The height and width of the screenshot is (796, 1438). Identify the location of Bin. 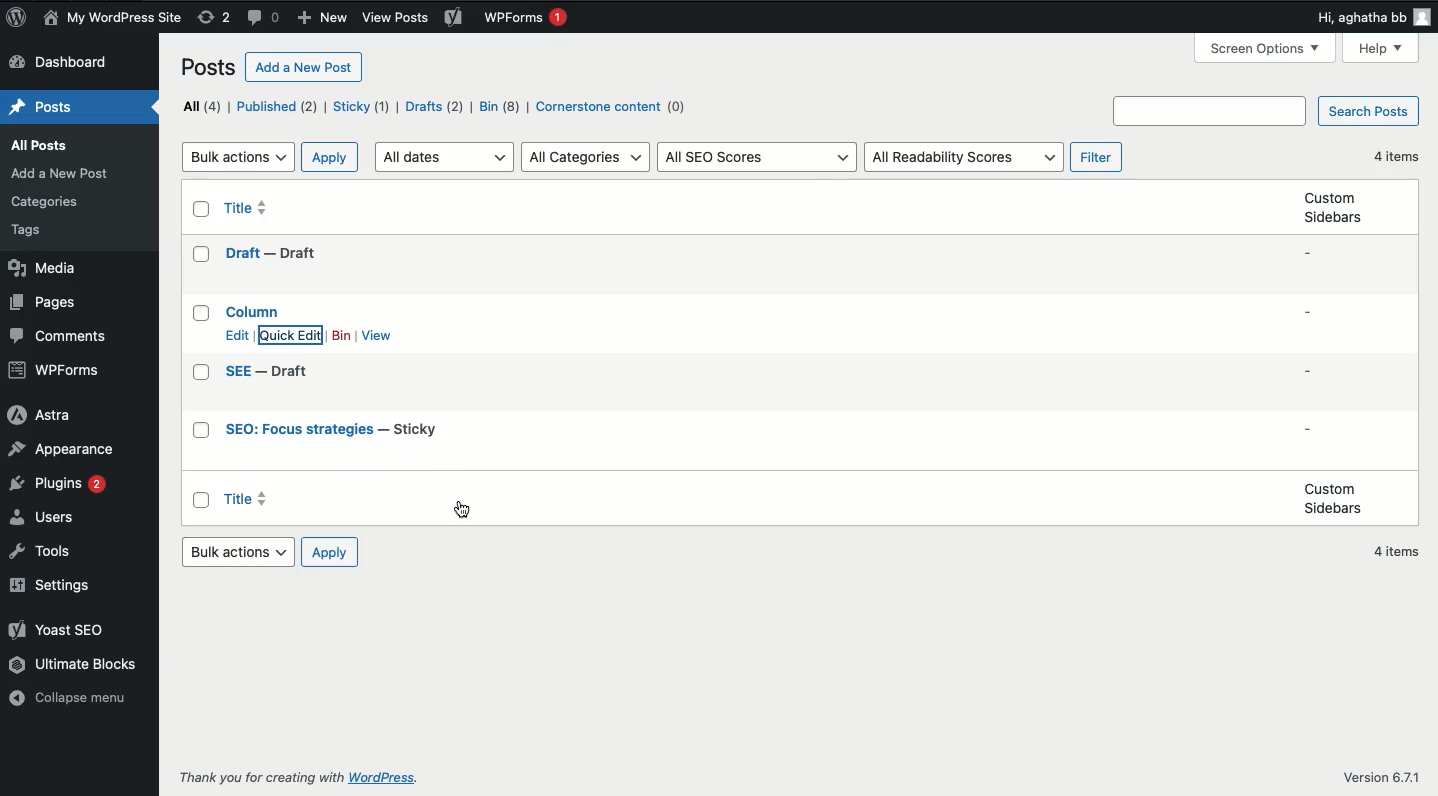
(341, 336).